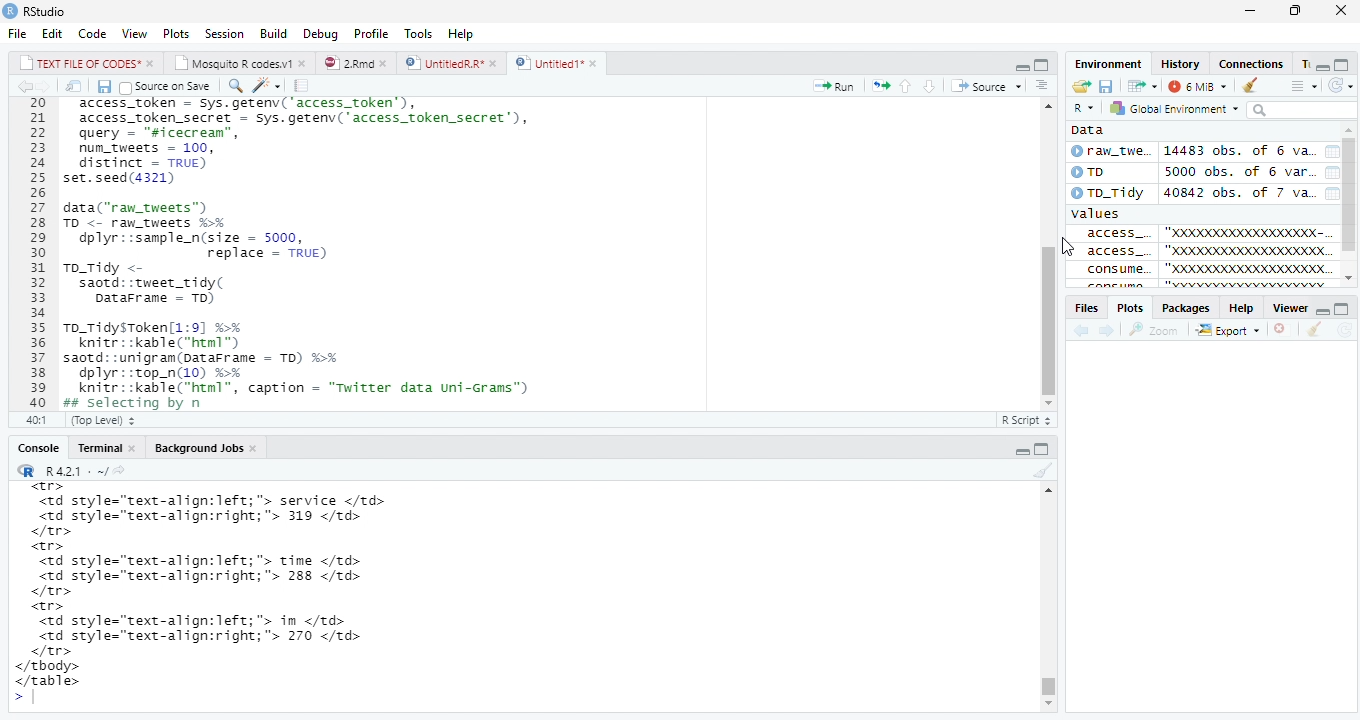  I want to click on refresh, so click(1344, 85).